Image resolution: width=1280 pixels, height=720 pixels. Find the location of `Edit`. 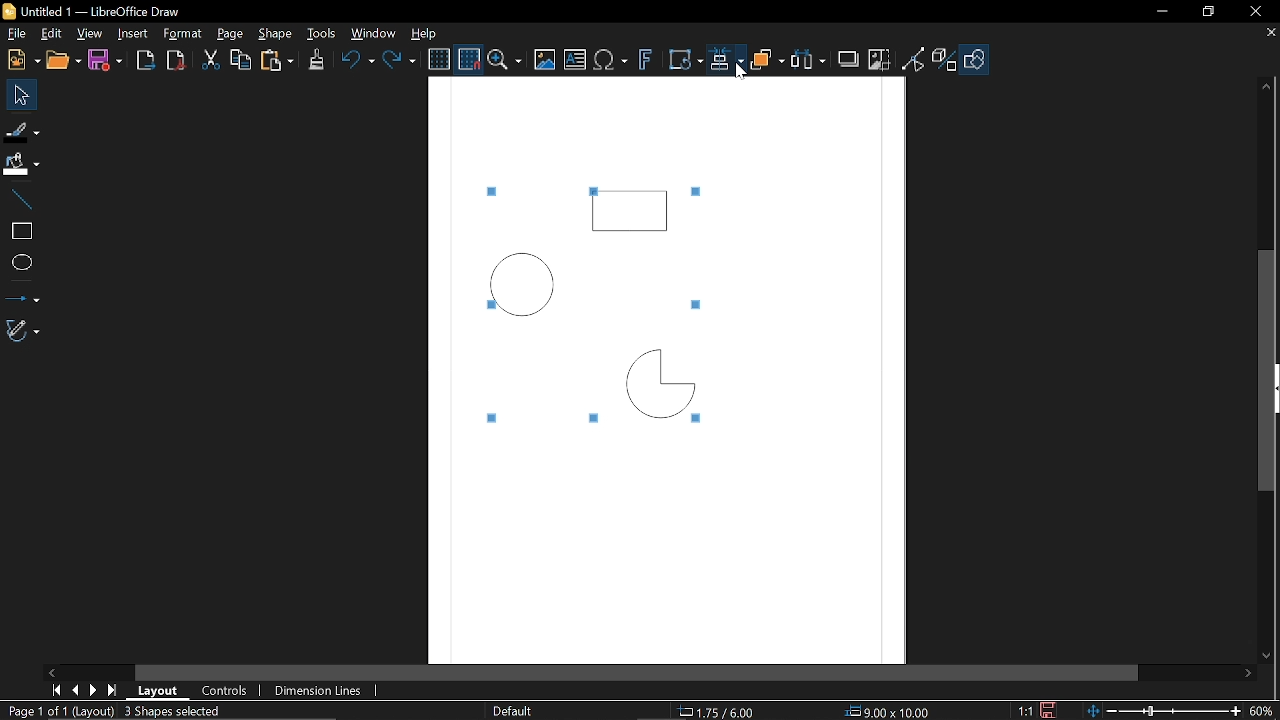

Edit is located at coordinates (50, 35).